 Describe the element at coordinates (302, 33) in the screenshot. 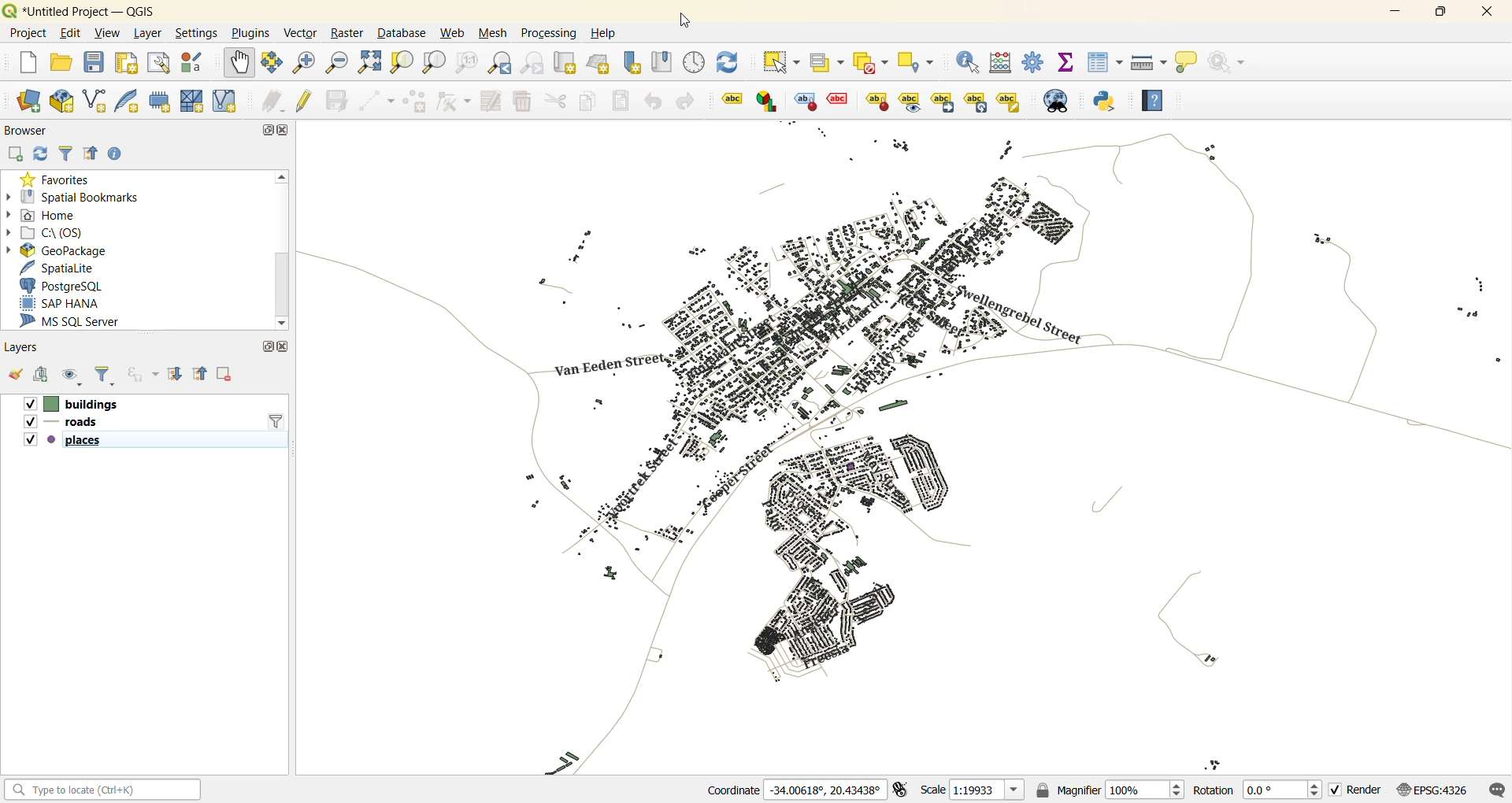

I see `vector` at that location.